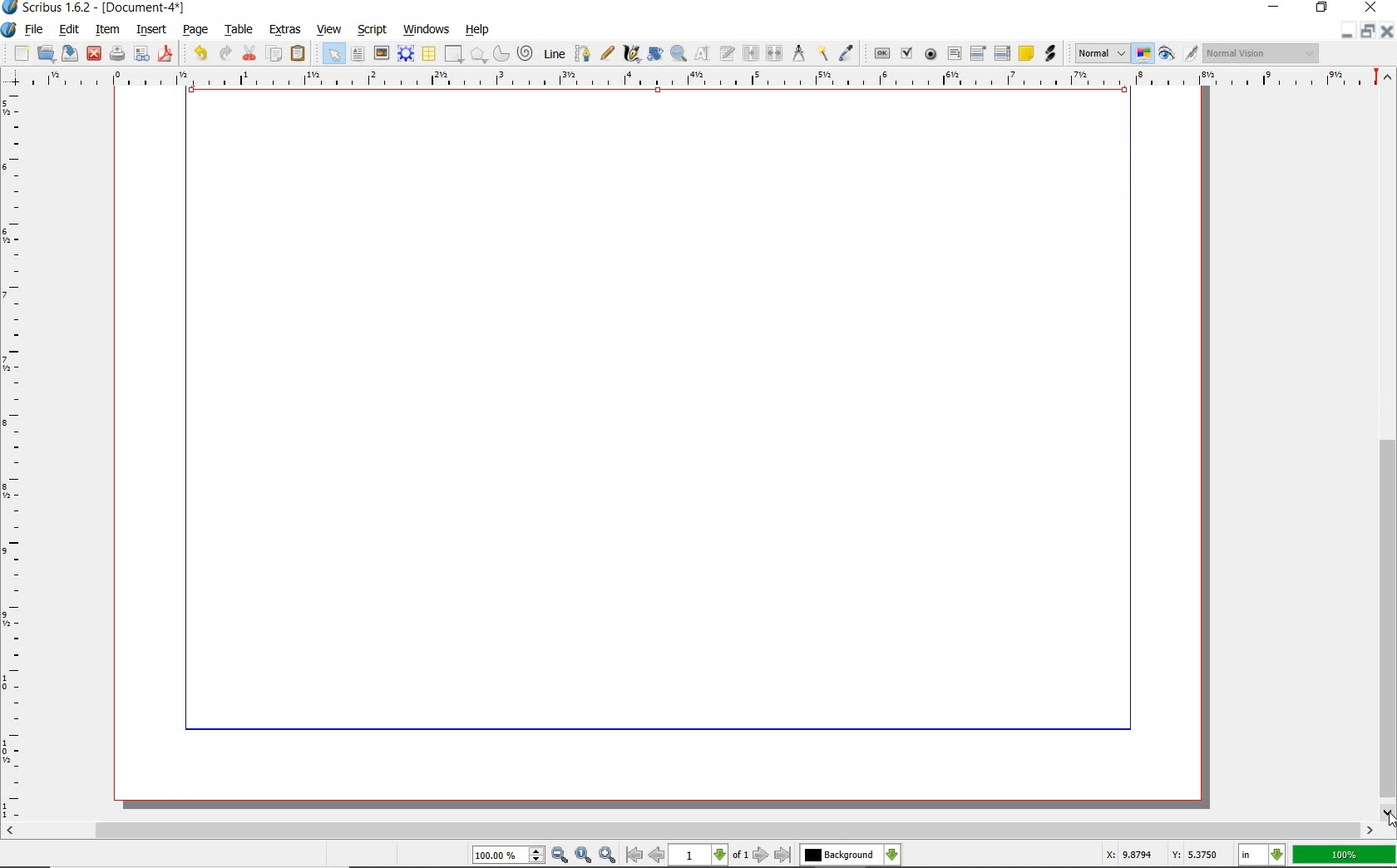 The height and width of the screenshot is (868, 1397). Describe the element at coordinates (699, 856) in the screenshot. I see `1` at that location.